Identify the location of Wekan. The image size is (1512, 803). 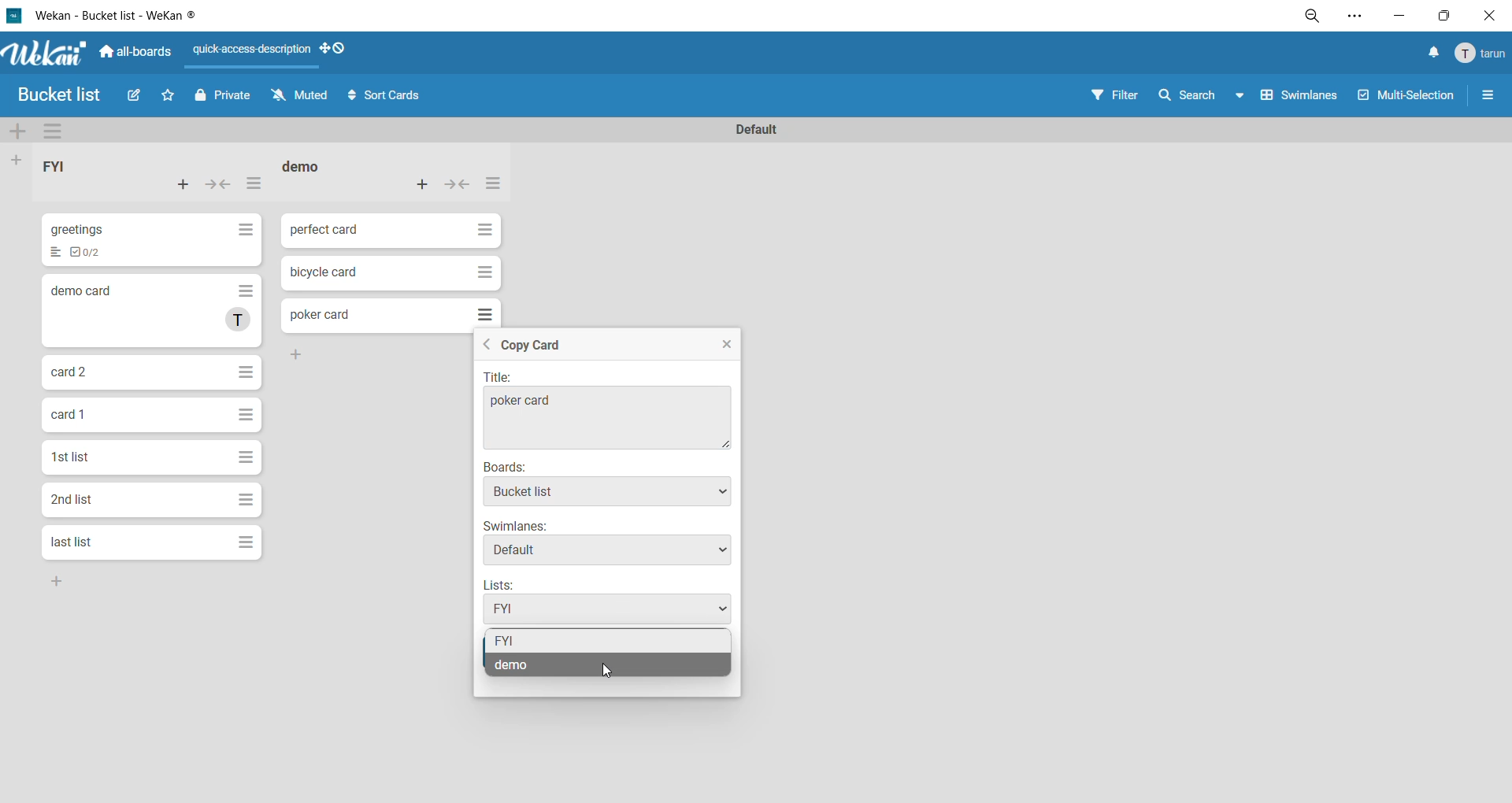
(42, 51).